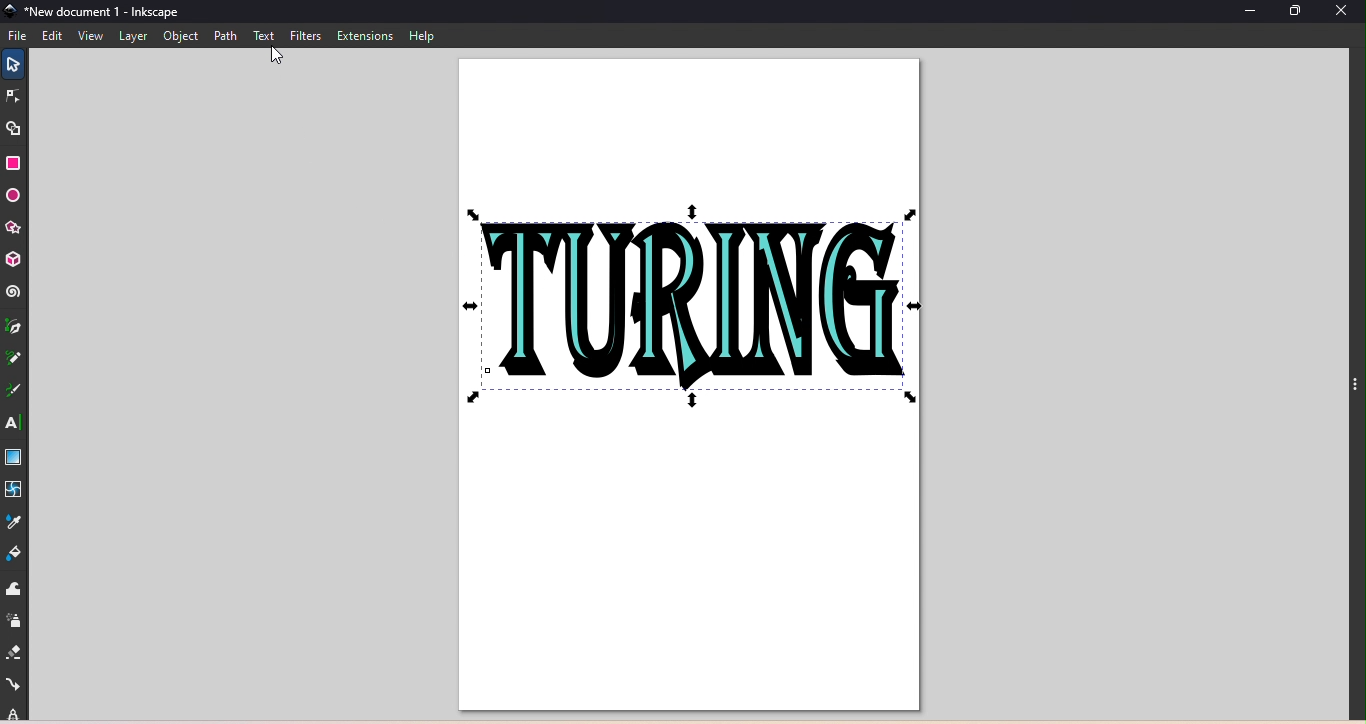 Image resolution: width=1366 pixels, height=724 pixels. I want to click on Paint bucket tool, so click(19, 553).